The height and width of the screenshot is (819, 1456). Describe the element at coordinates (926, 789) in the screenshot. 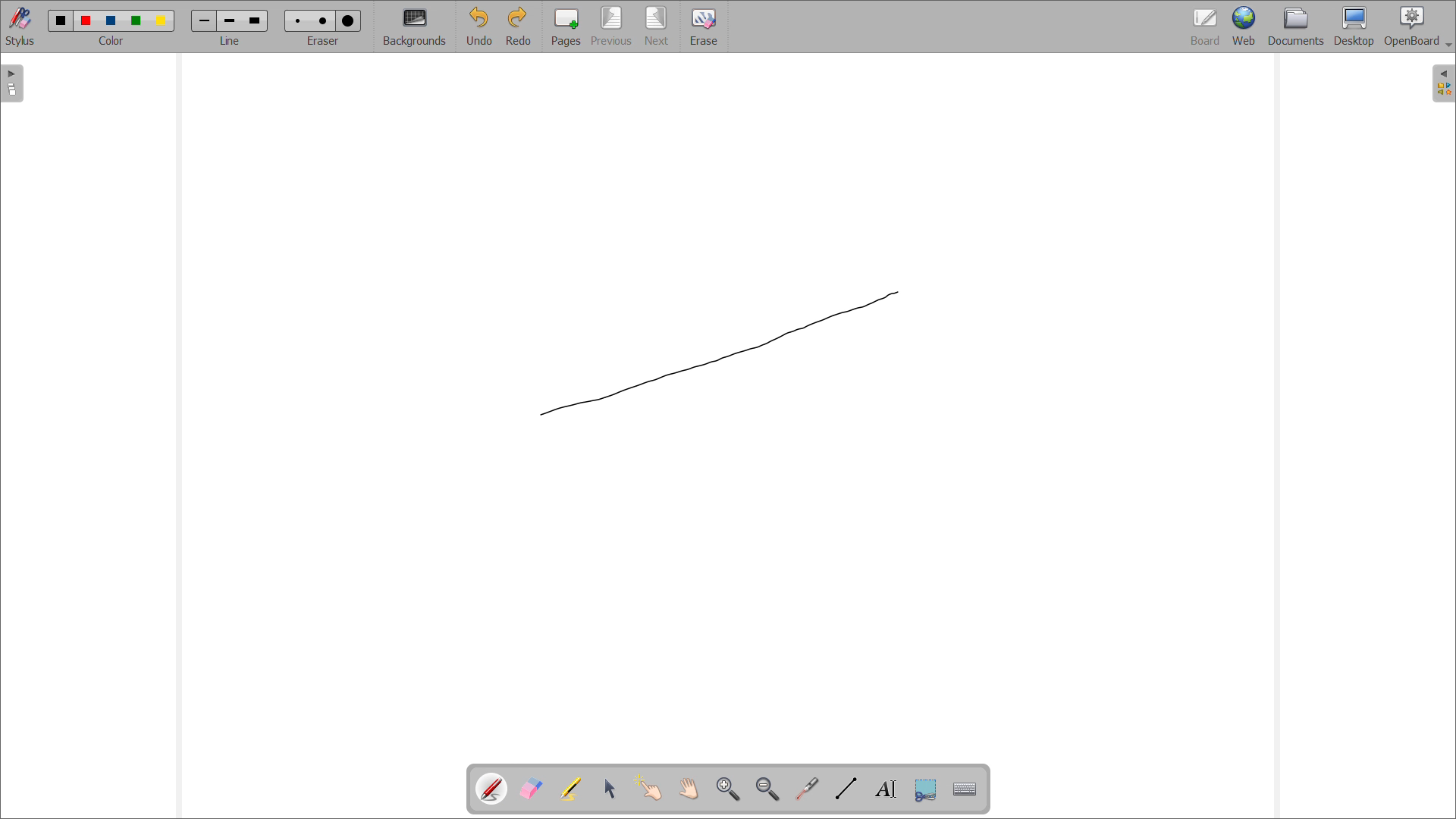

I see `capture part of the screen` at that location.